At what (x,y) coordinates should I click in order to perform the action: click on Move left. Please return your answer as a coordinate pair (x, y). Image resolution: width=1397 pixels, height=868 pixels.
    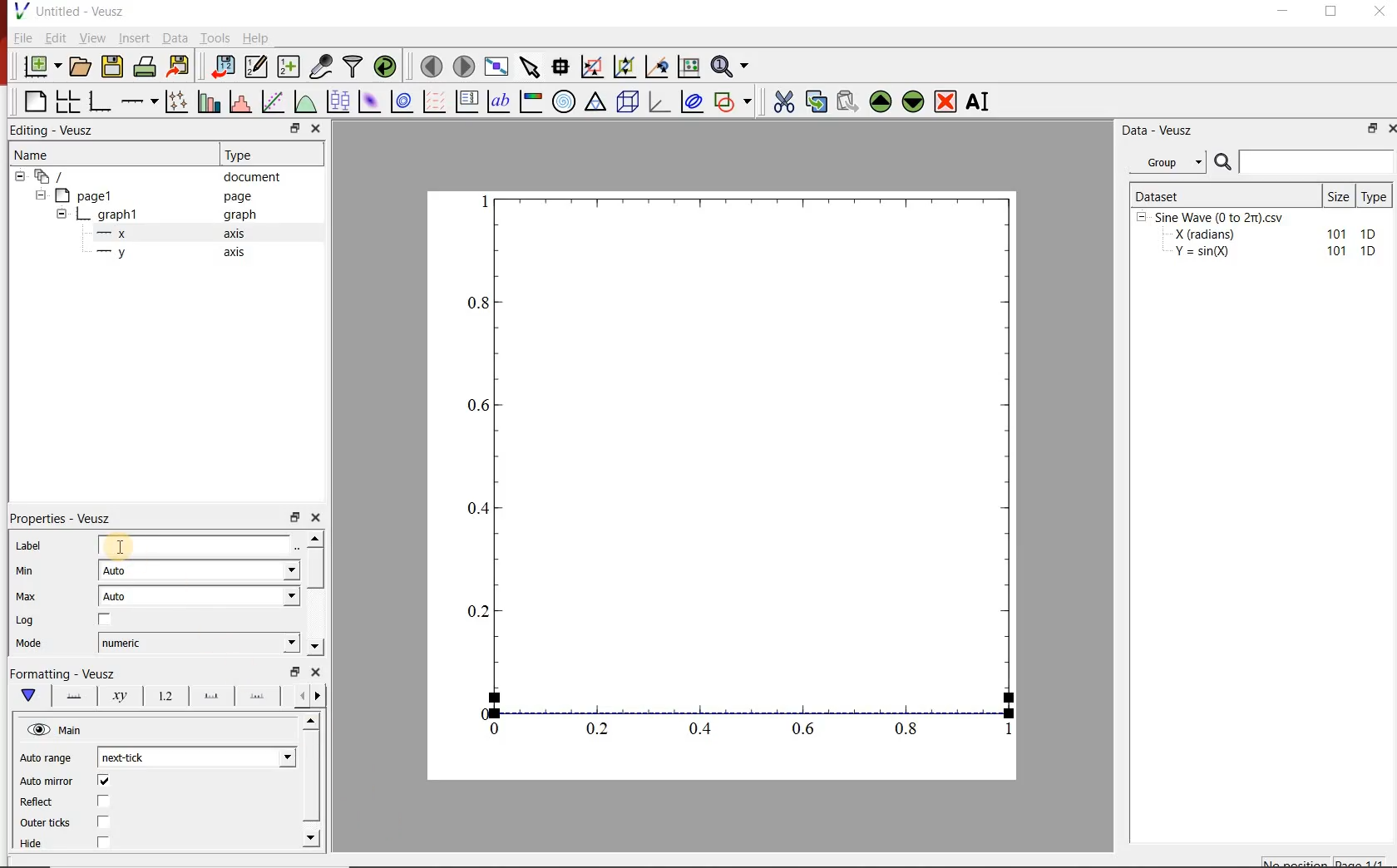
    Looking at the image, I should click on (299, 695).